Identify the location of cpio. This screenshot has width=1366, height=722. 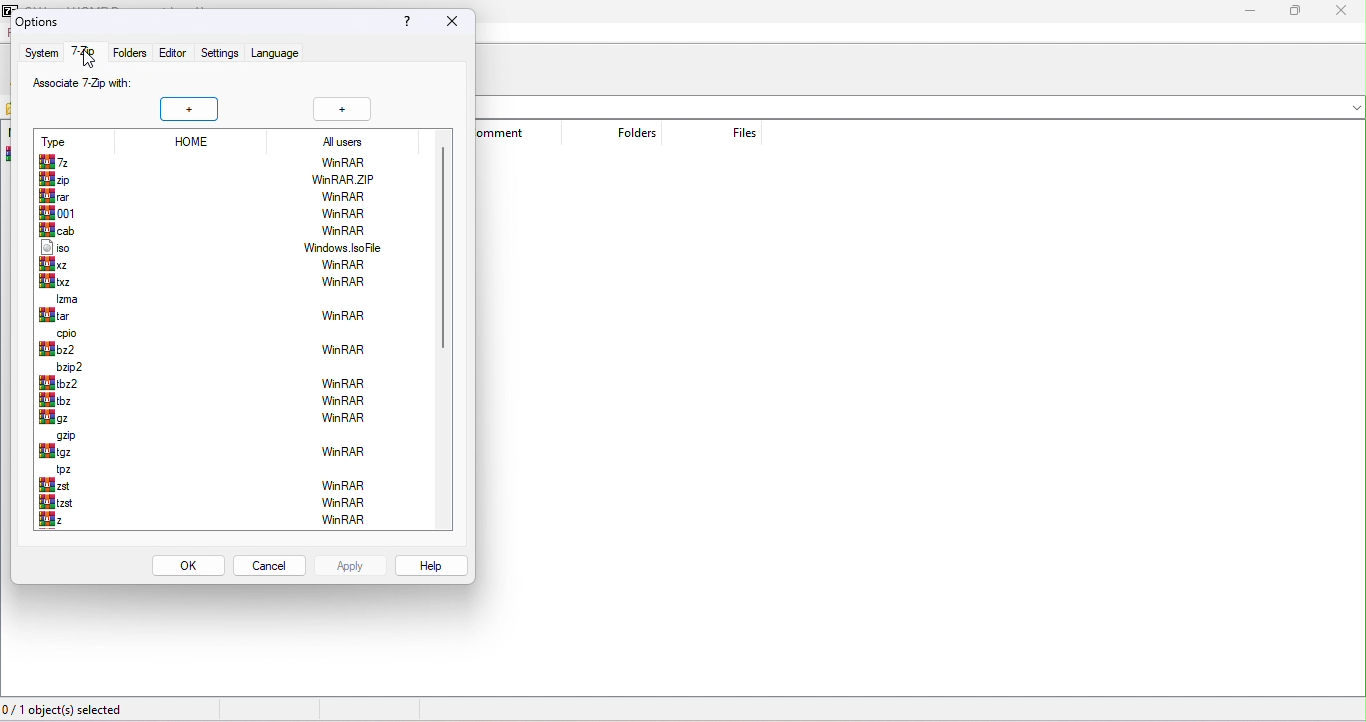
(64, 333).